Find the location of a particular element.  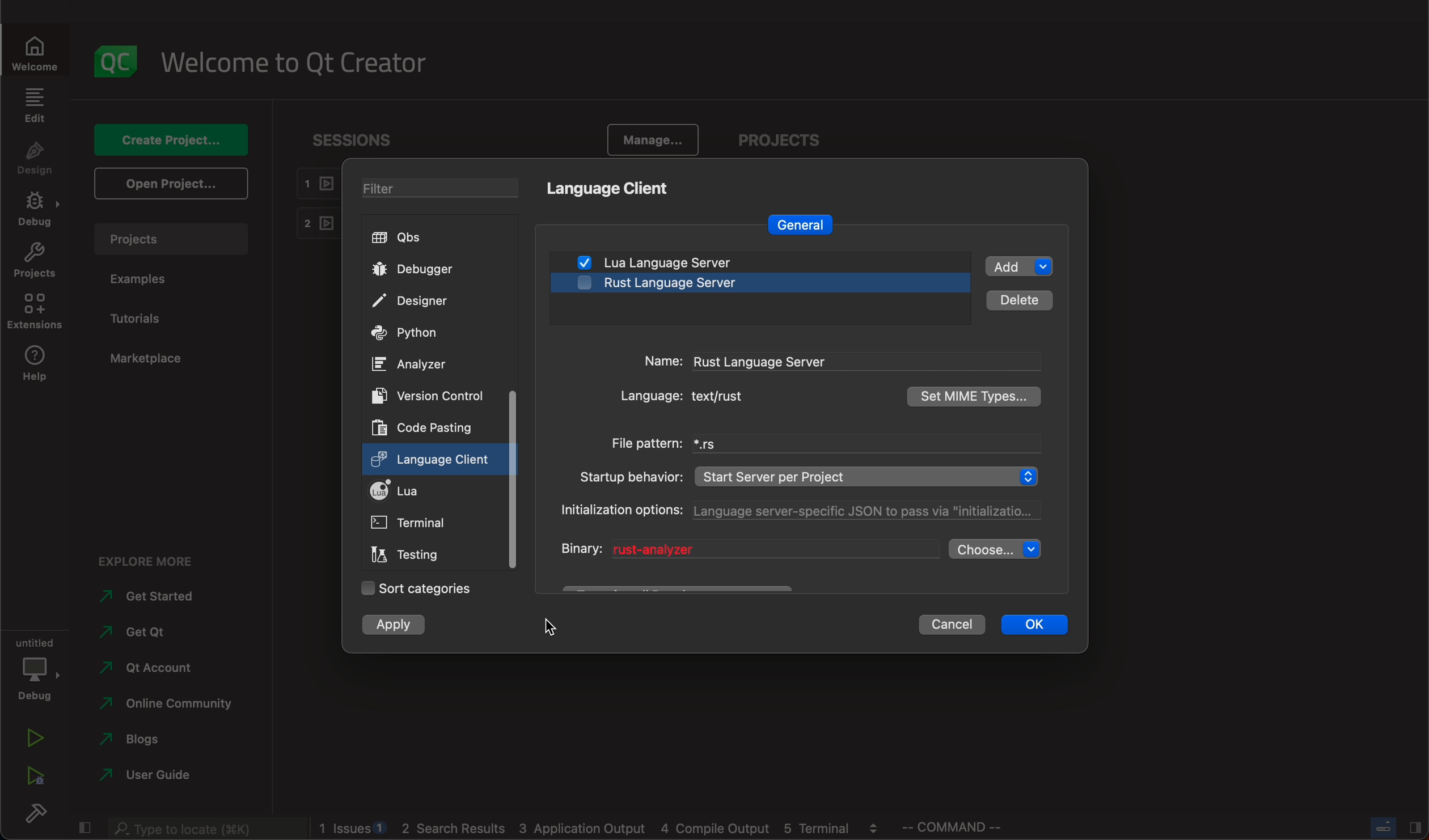

cancel is located at coordinates (958, 626).